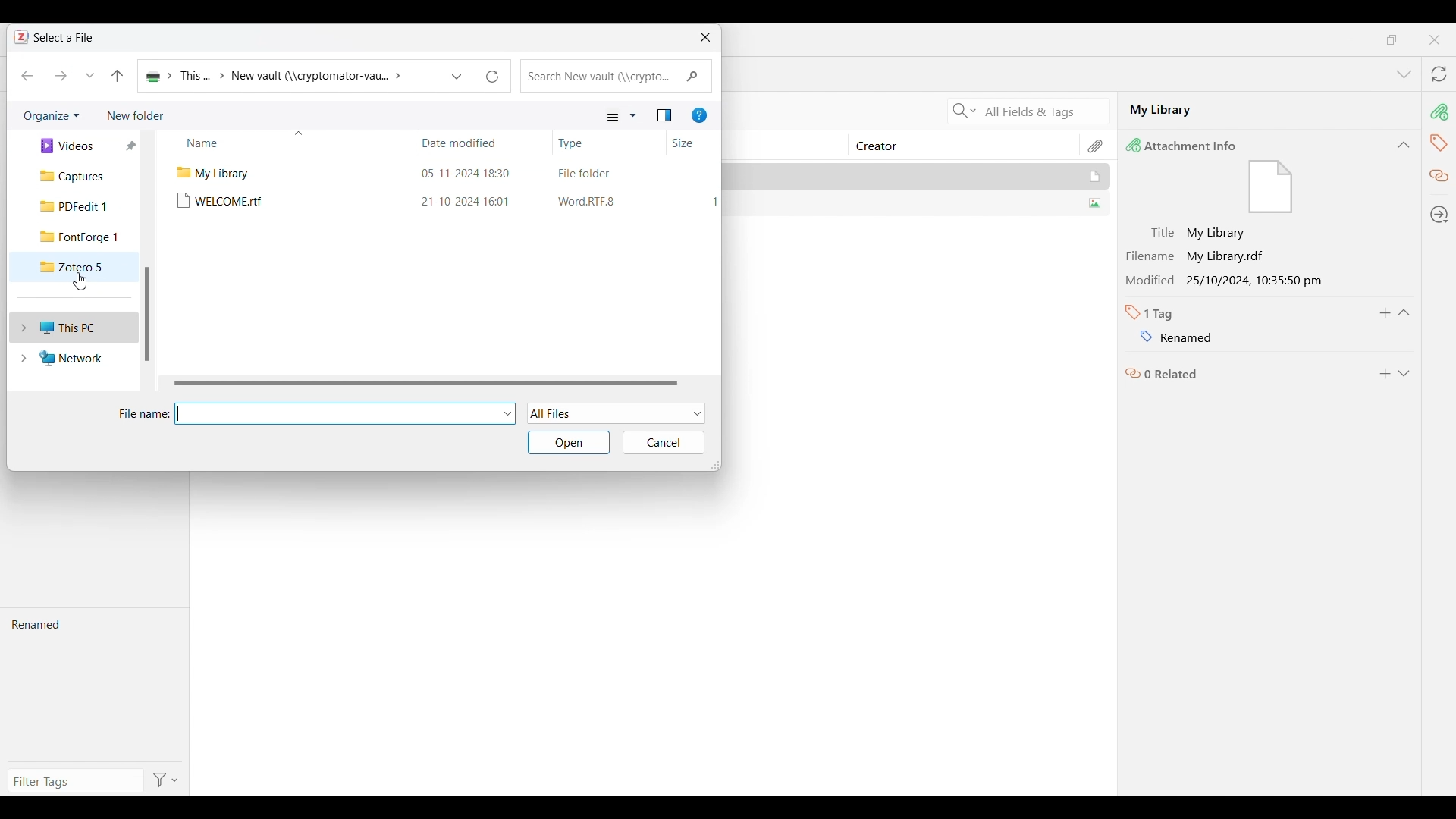 The width and height of the screenshot is (1456, 819). I want to click on Add, so click(1385, 374).